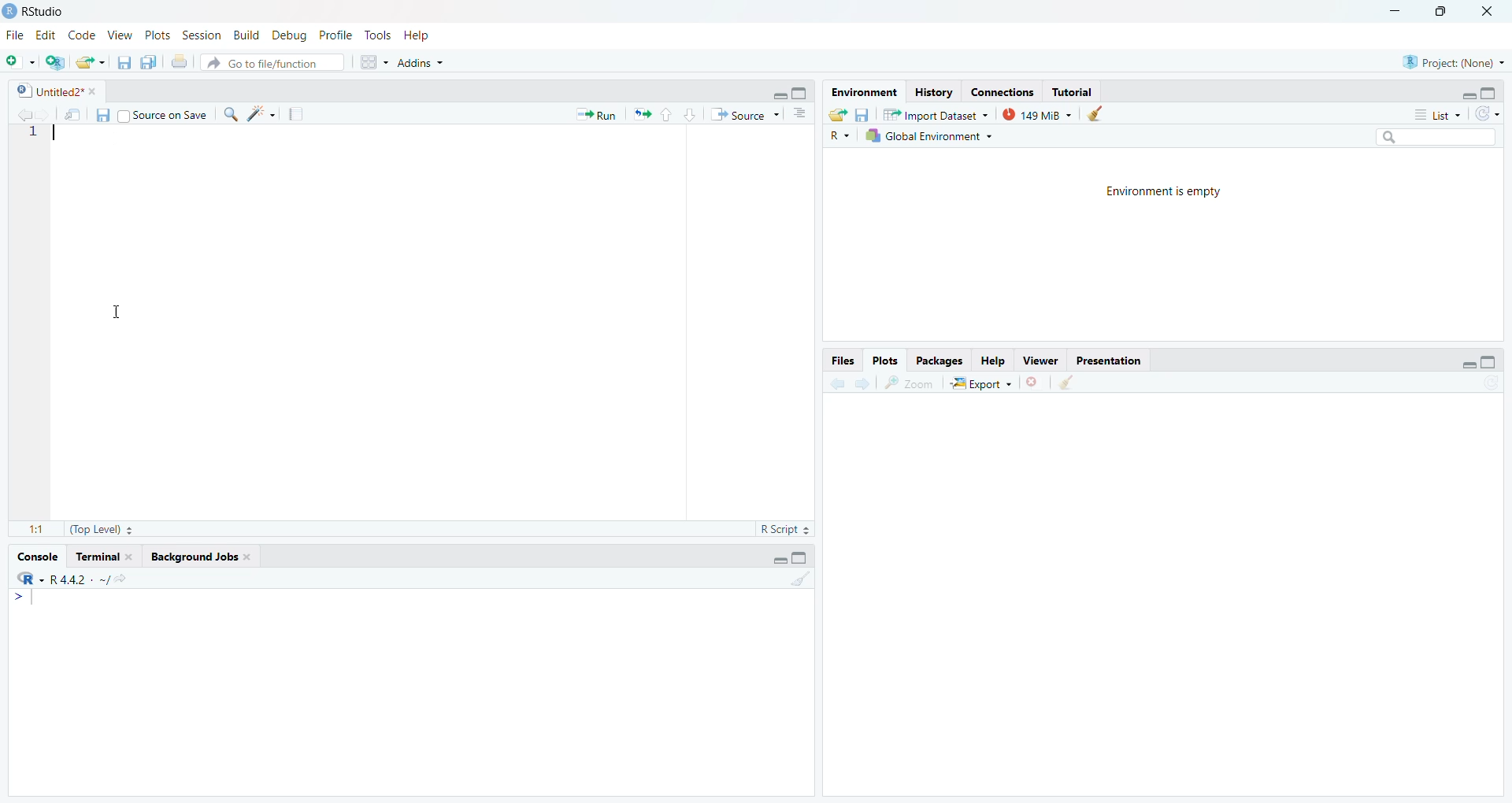 The width and height of the screenshot is (1512, 803). I want to click on Untitled2*, so click(57, 90).